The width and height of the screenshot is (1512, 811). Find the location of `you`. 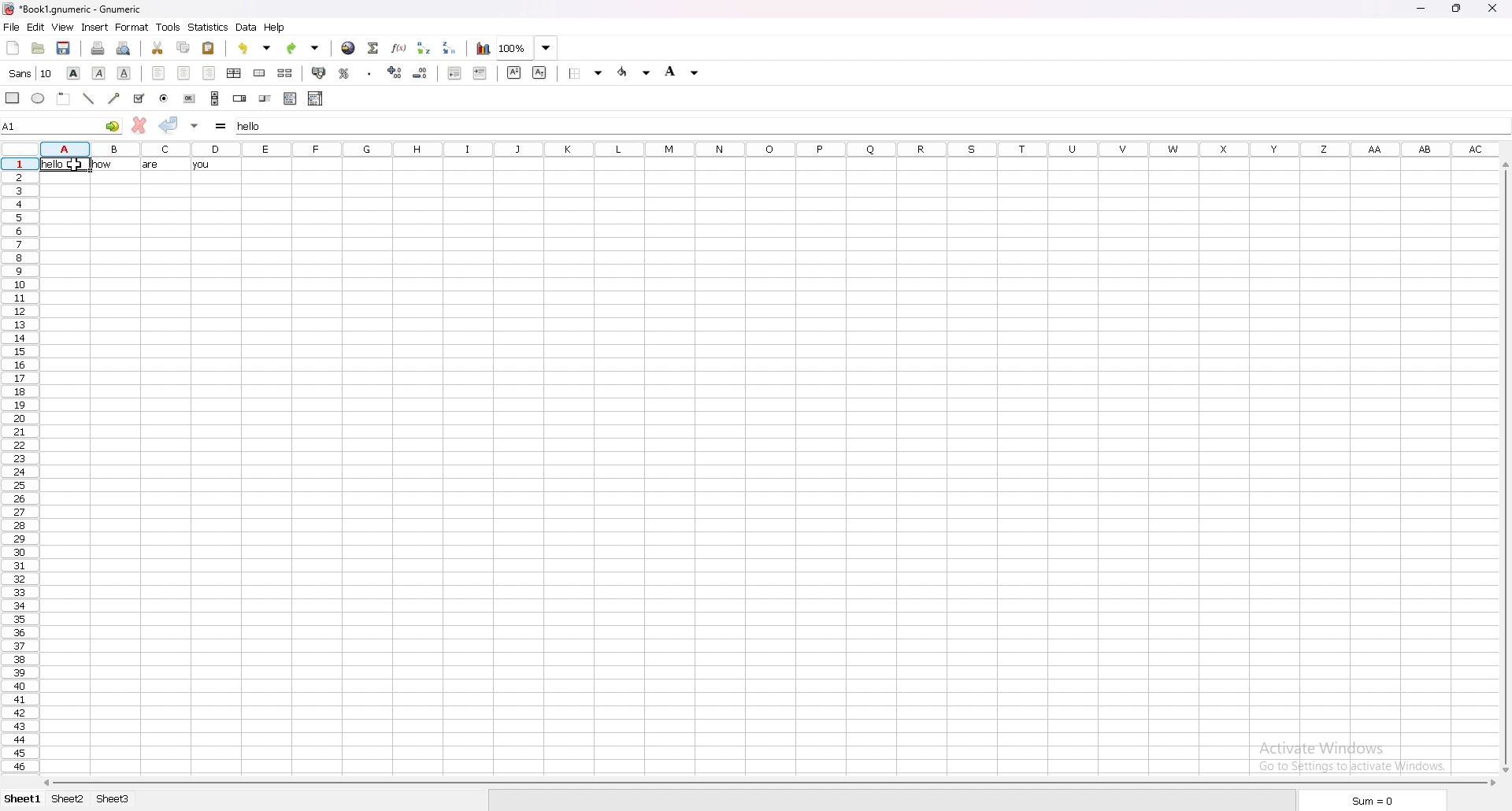

you is located at coordinates (203, 165).